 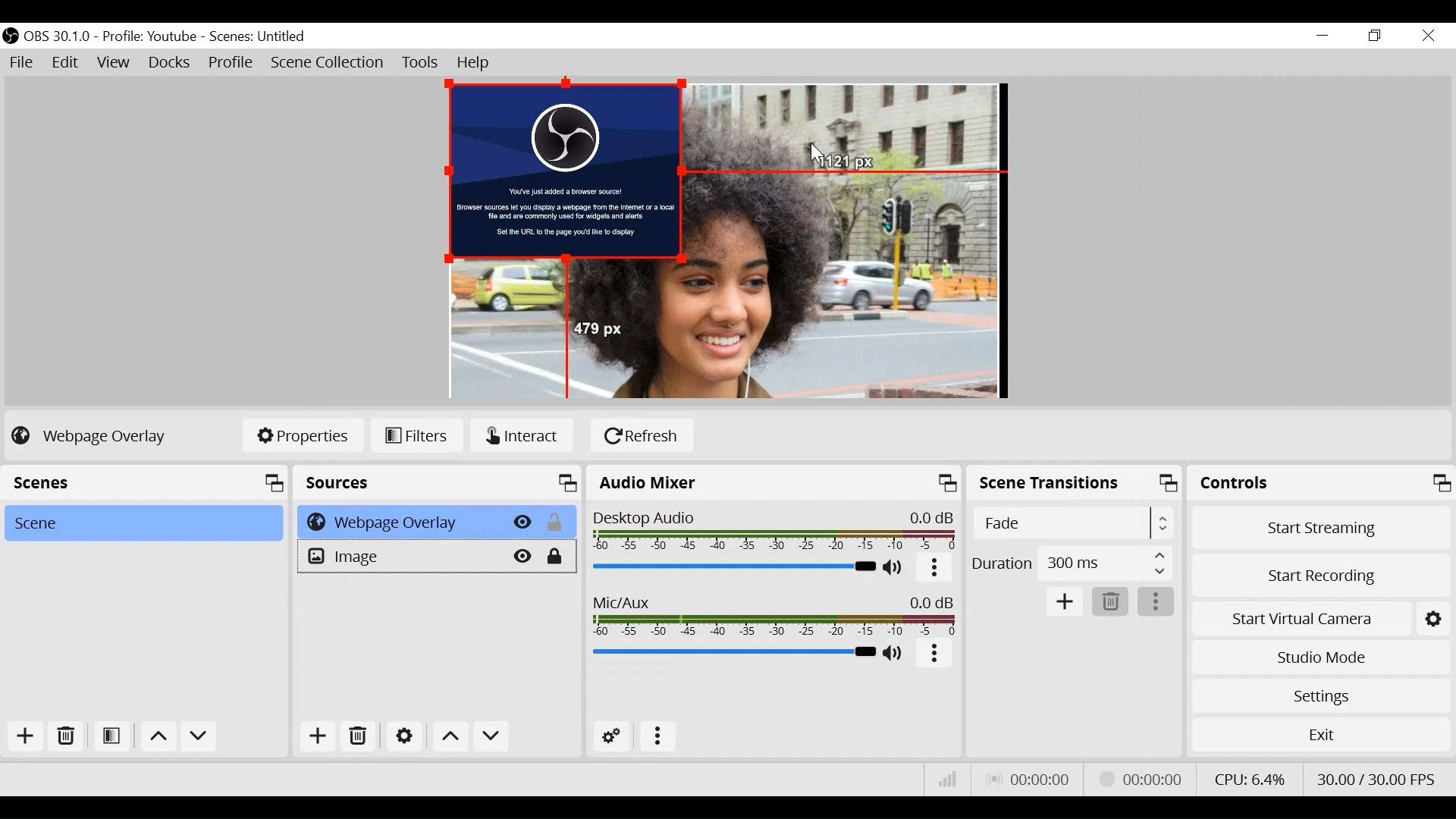 I want to click on Move down, so click(x=201, y=737).